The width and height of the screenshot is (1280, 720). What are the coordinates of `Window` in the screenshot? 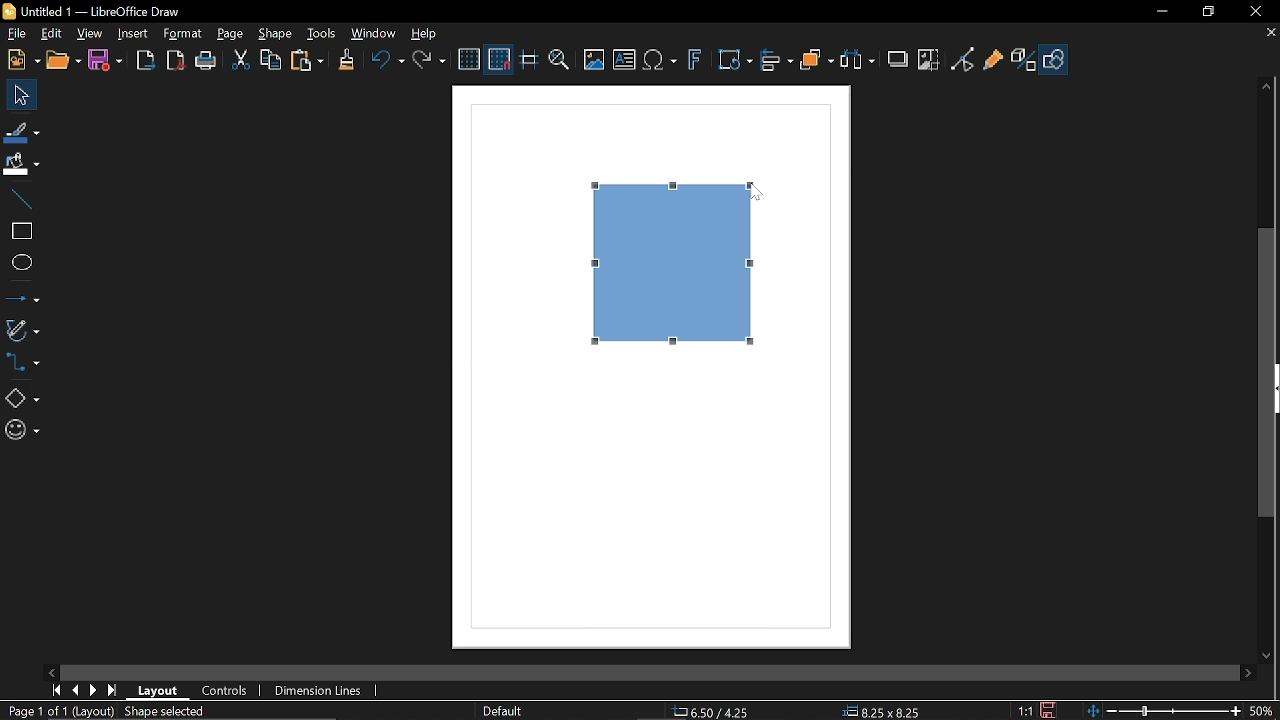 It's located at (376, 35).